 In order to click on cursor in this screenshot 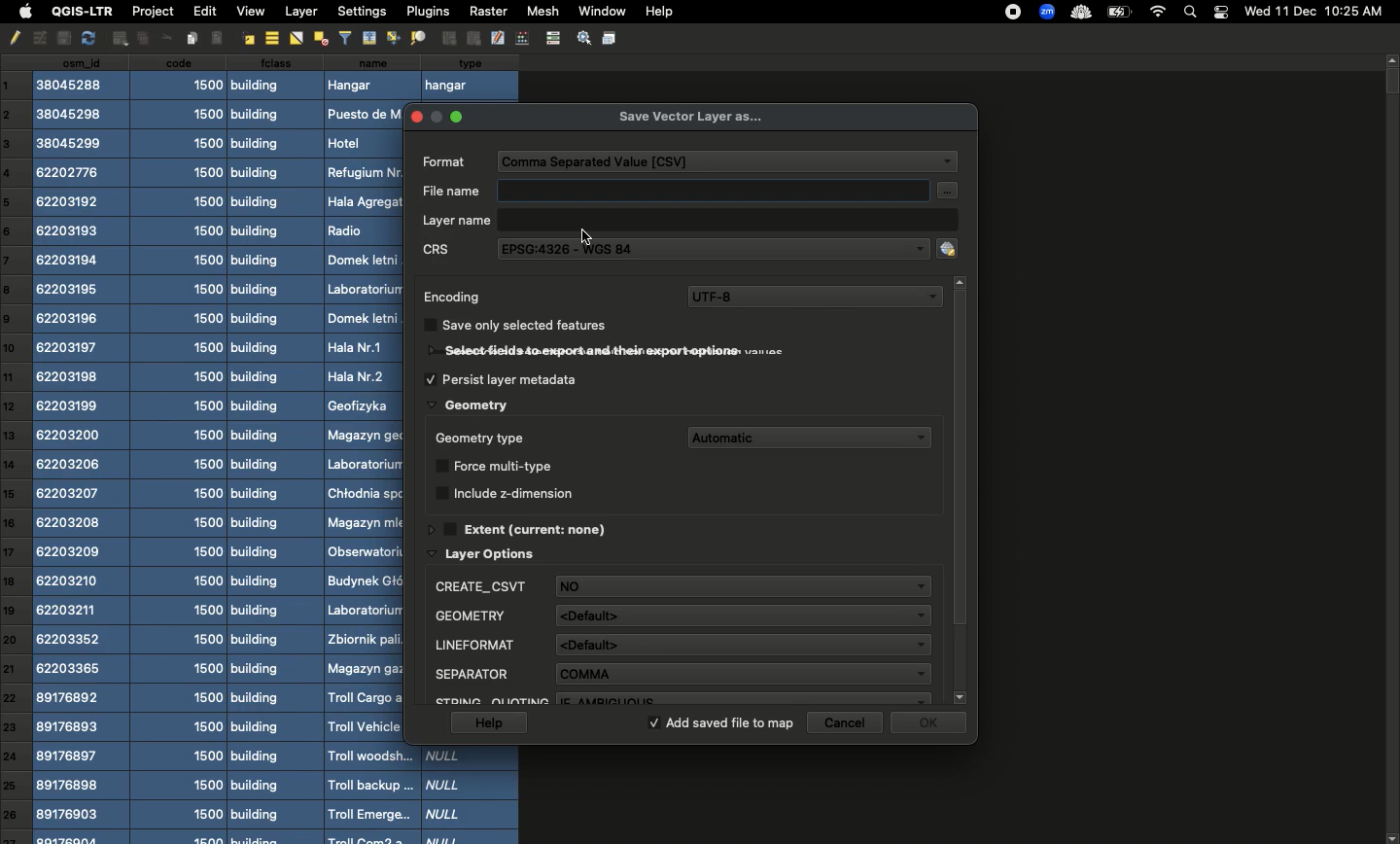, I will do `click(588, 238)`.